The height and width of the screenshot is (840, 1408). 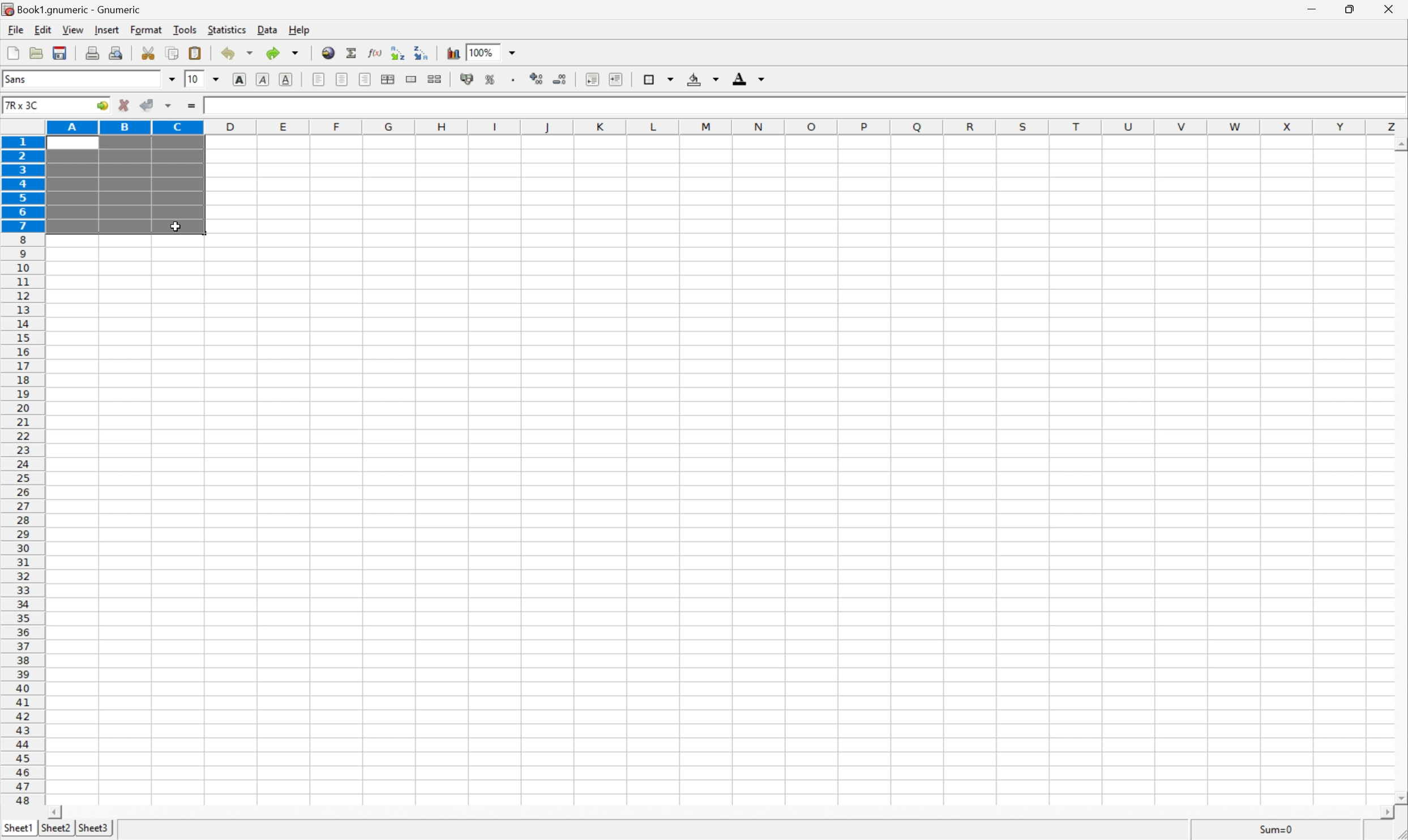 What do you see at coordinates (195, 52) in the screenshot?
I see `paste` at bounding box center [195, 52].